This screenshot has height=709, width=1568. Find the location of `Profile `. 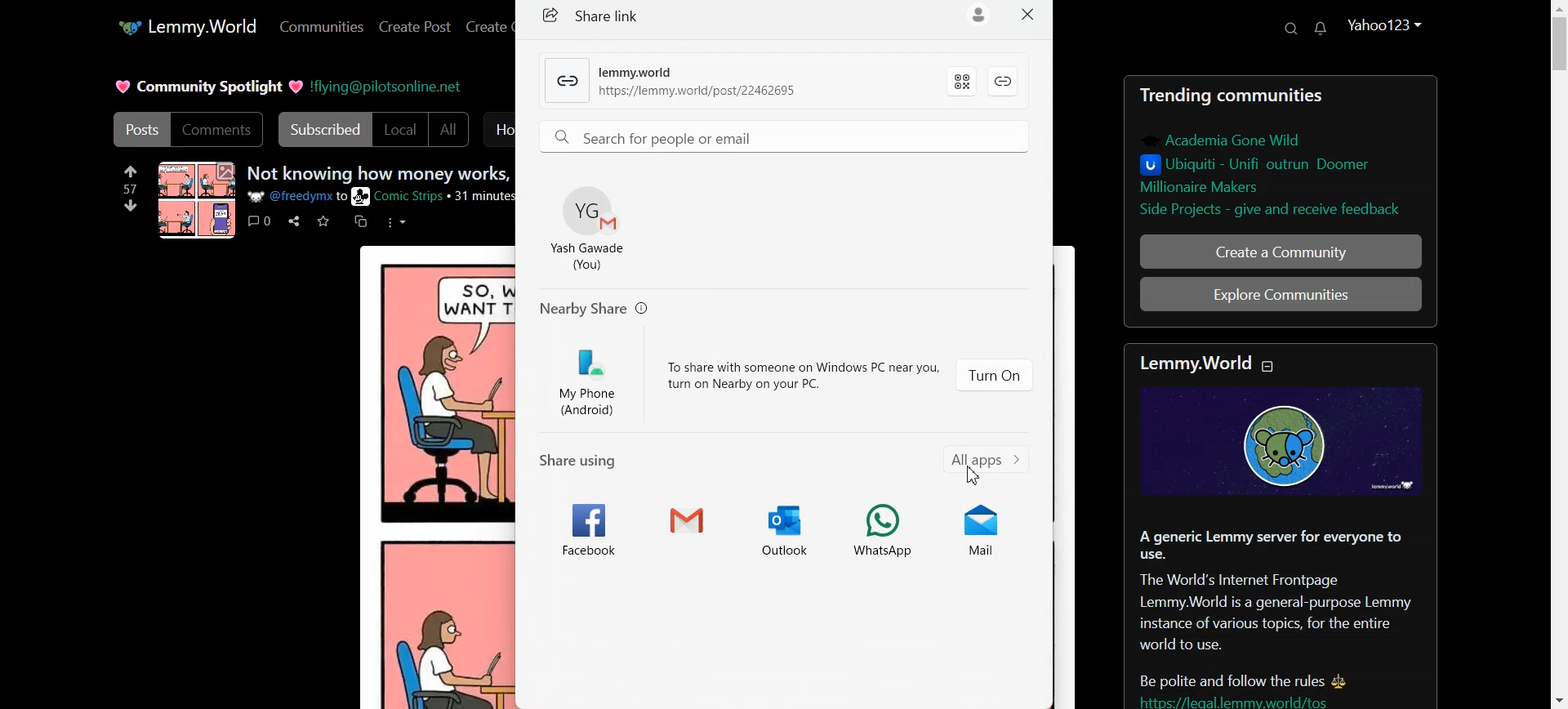

Profile  is located at coordinates (590, 227).